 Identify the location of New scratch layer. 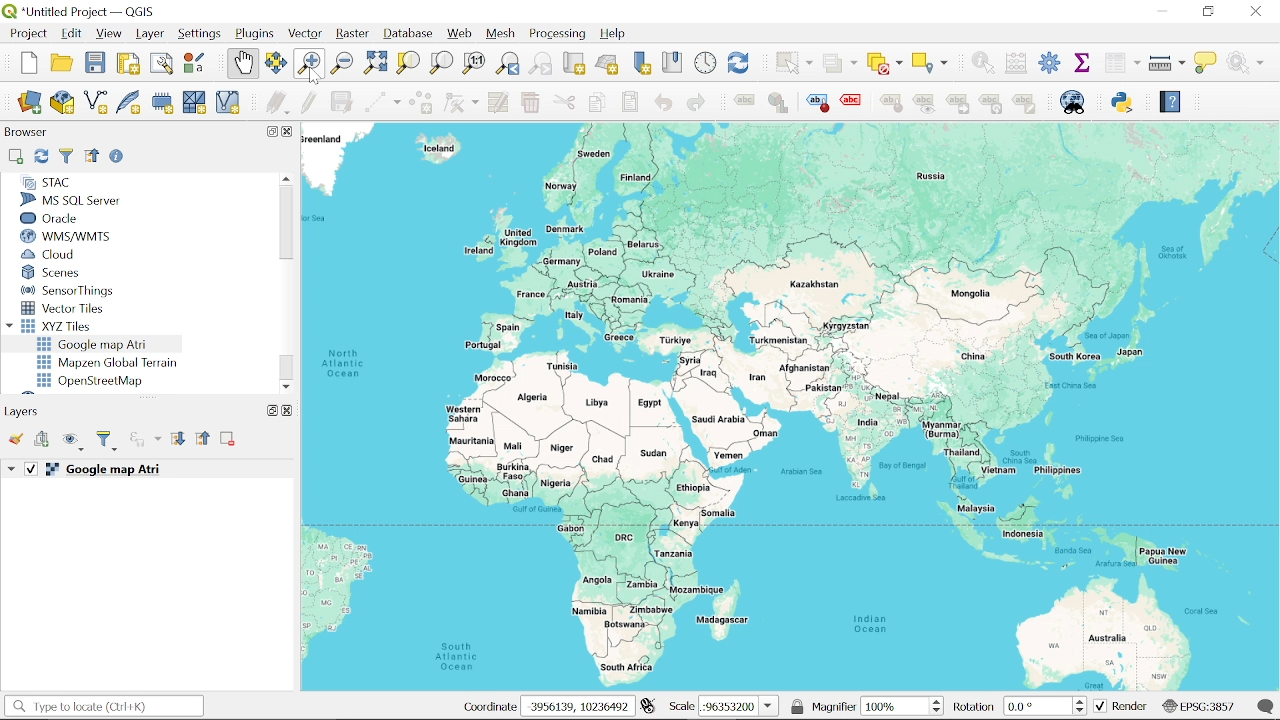
(194, 104).